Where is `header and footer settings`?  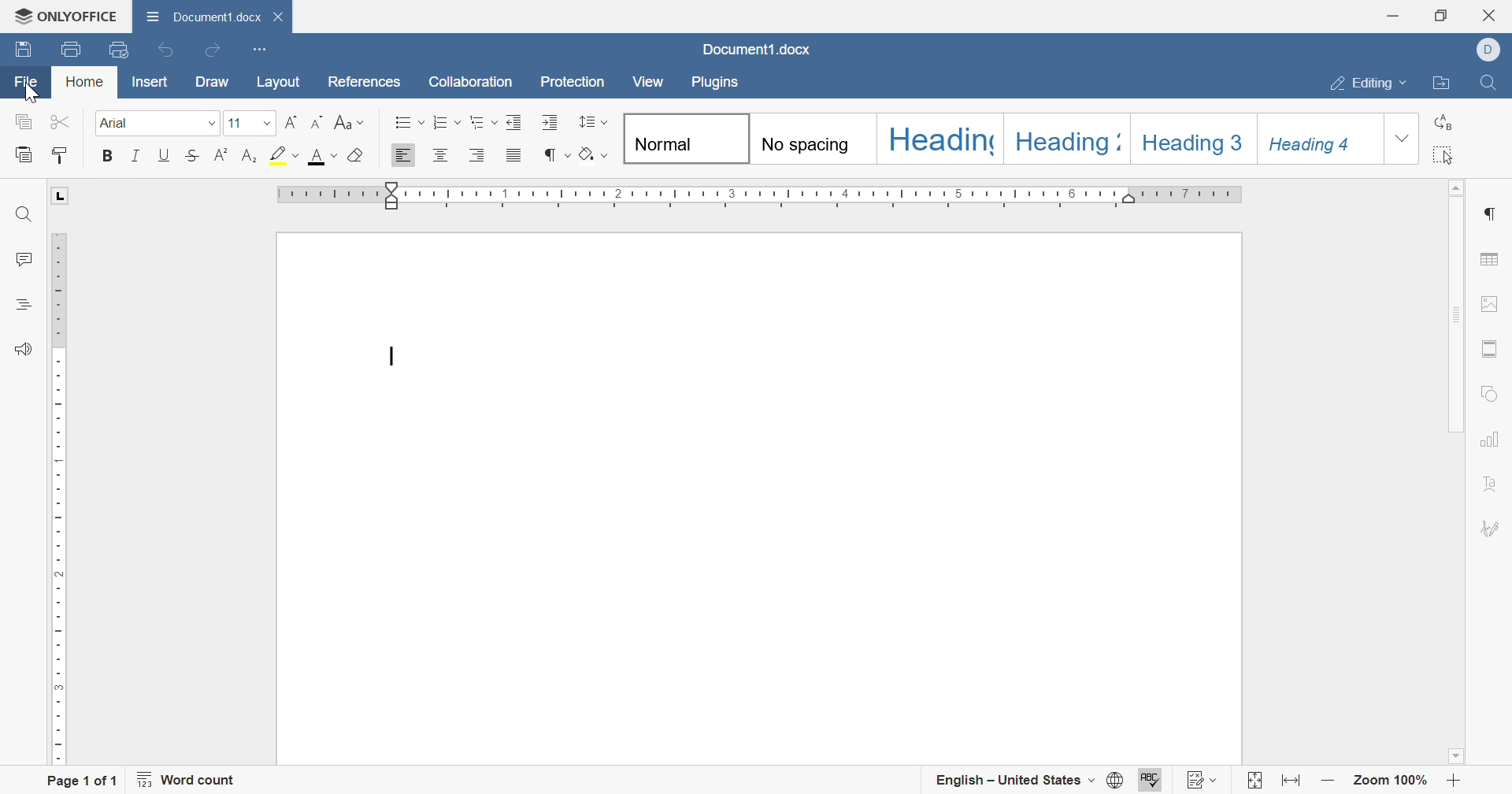
header and footer settings is located at coordinates (1488, 347).